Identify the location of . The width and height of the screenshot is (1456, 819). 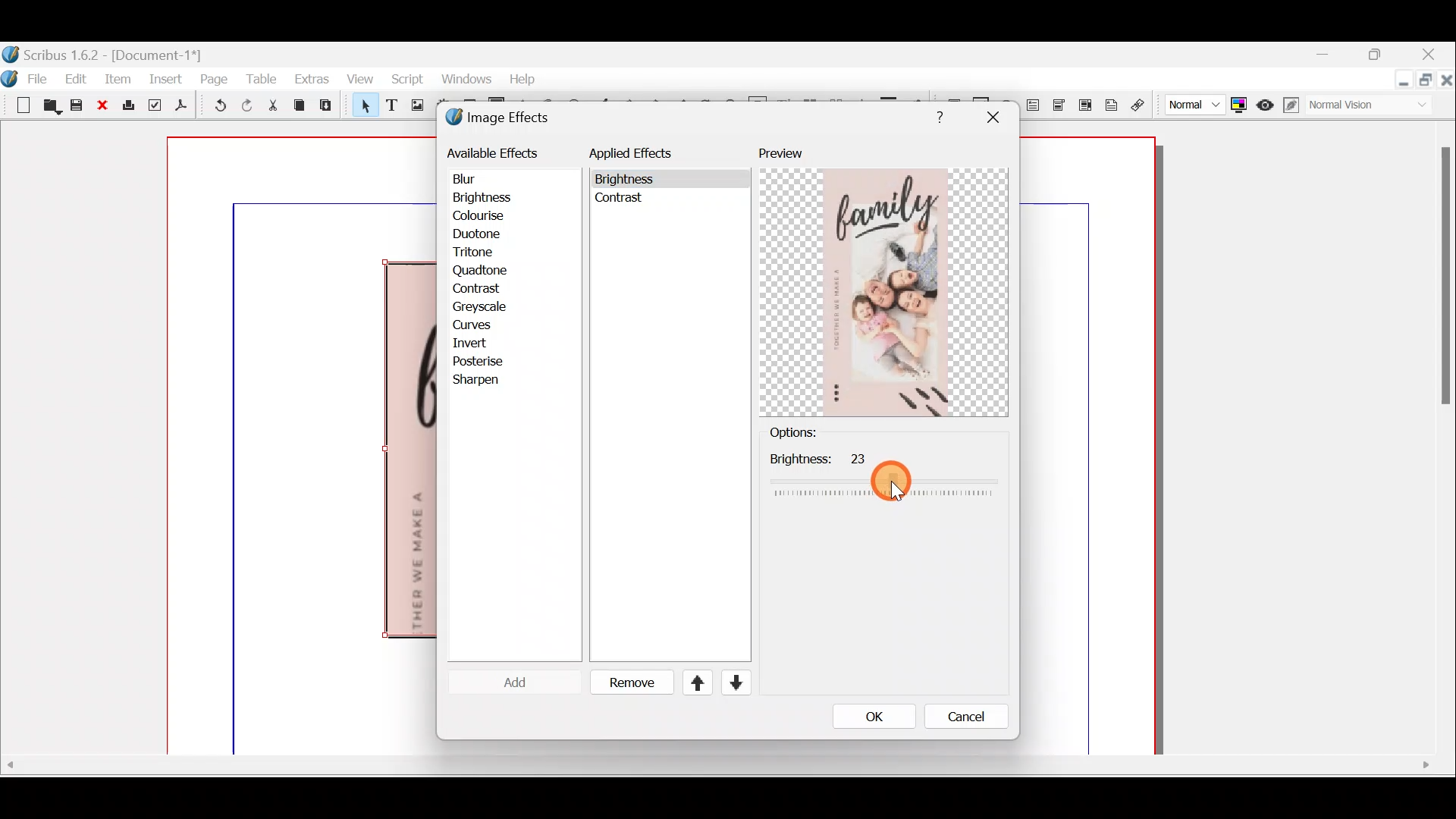
(1442, 283).